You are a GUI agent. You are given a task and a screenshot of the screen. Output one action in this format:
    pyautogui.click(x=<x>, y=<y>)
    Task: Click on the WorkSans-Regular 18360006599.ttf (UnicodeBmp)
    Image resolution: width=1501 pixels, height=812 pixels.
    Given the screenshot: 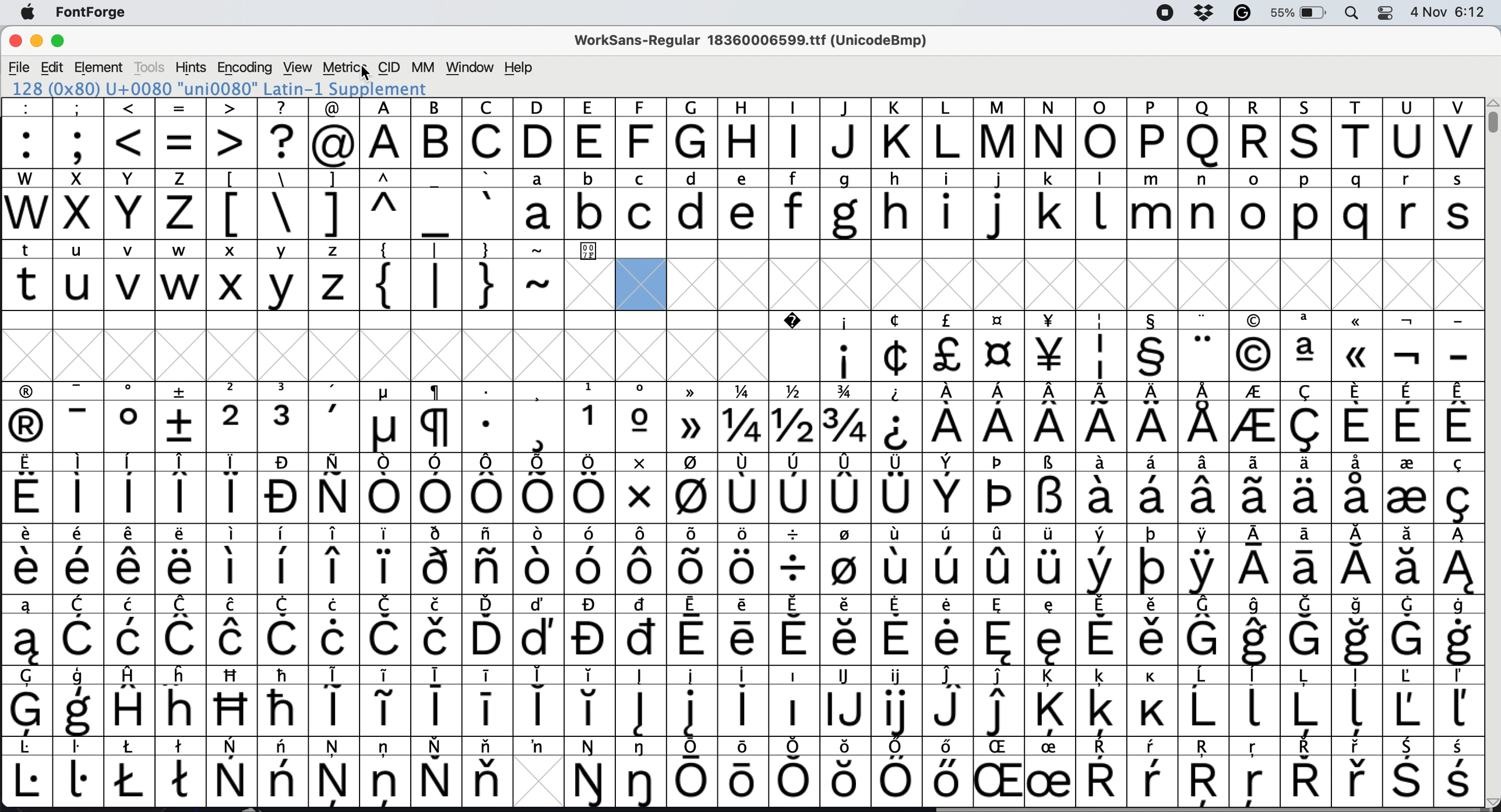 What is the action you would take?
    pyautogui.click(x=754, y=40)
    